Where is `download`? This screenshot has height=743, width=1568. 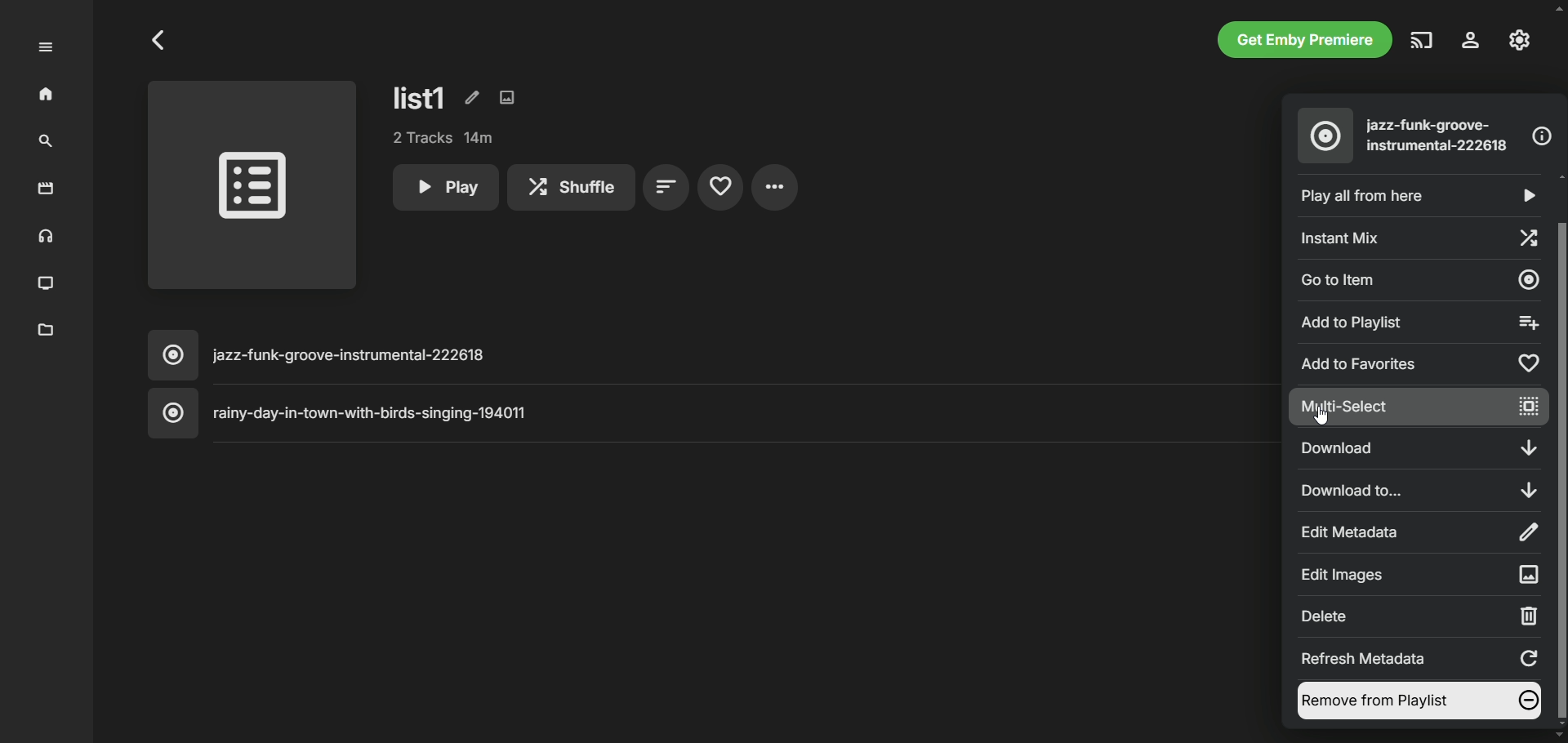 download is located at coordinates (1416, 447).